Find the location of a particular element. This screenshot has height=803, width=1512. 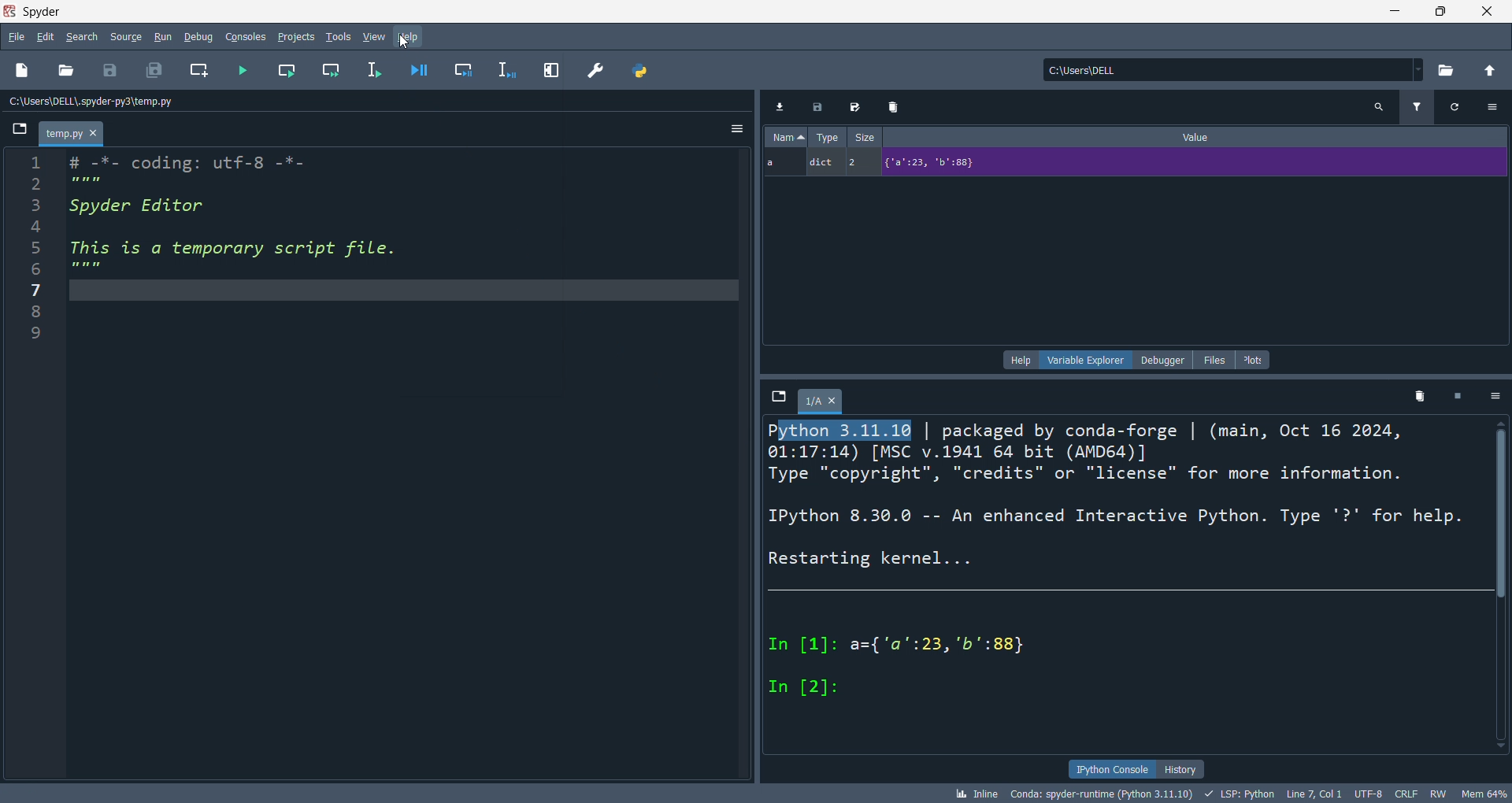

ipython console is located at coordinates (1112, 768).